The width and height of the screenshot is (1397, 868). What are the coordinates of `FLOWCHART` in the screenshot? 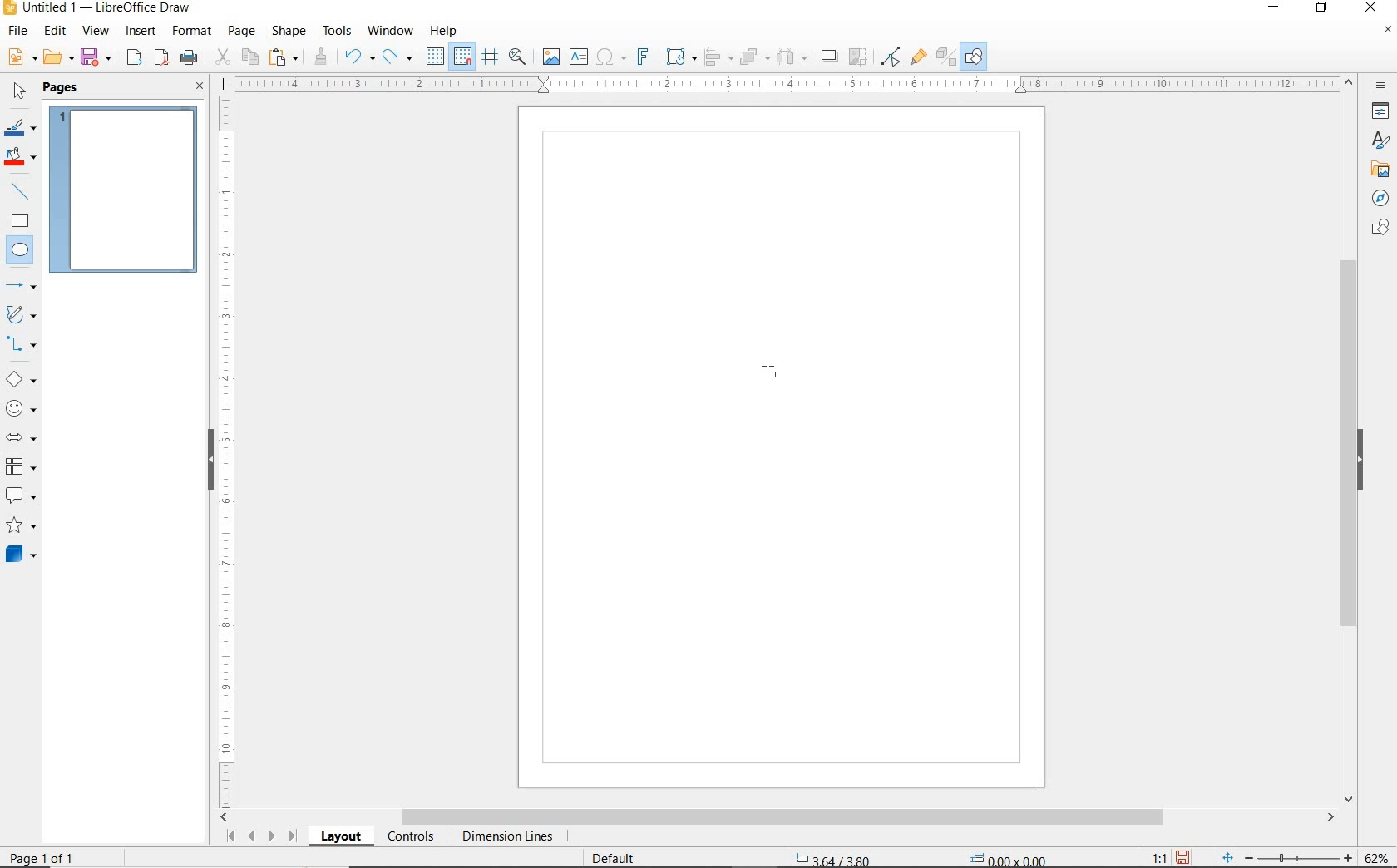 It's located at (20, 467).